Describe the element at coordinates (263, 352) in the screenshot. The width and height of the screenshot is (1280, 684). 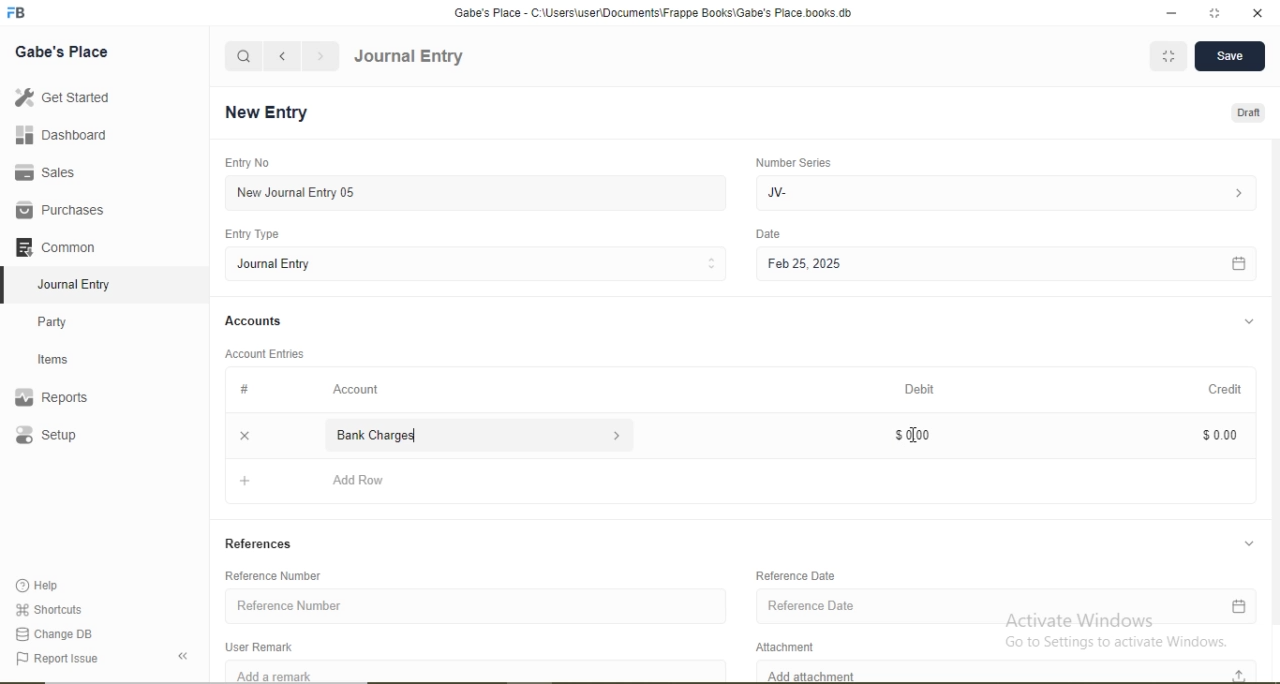
I see `Account Entries` at that location.